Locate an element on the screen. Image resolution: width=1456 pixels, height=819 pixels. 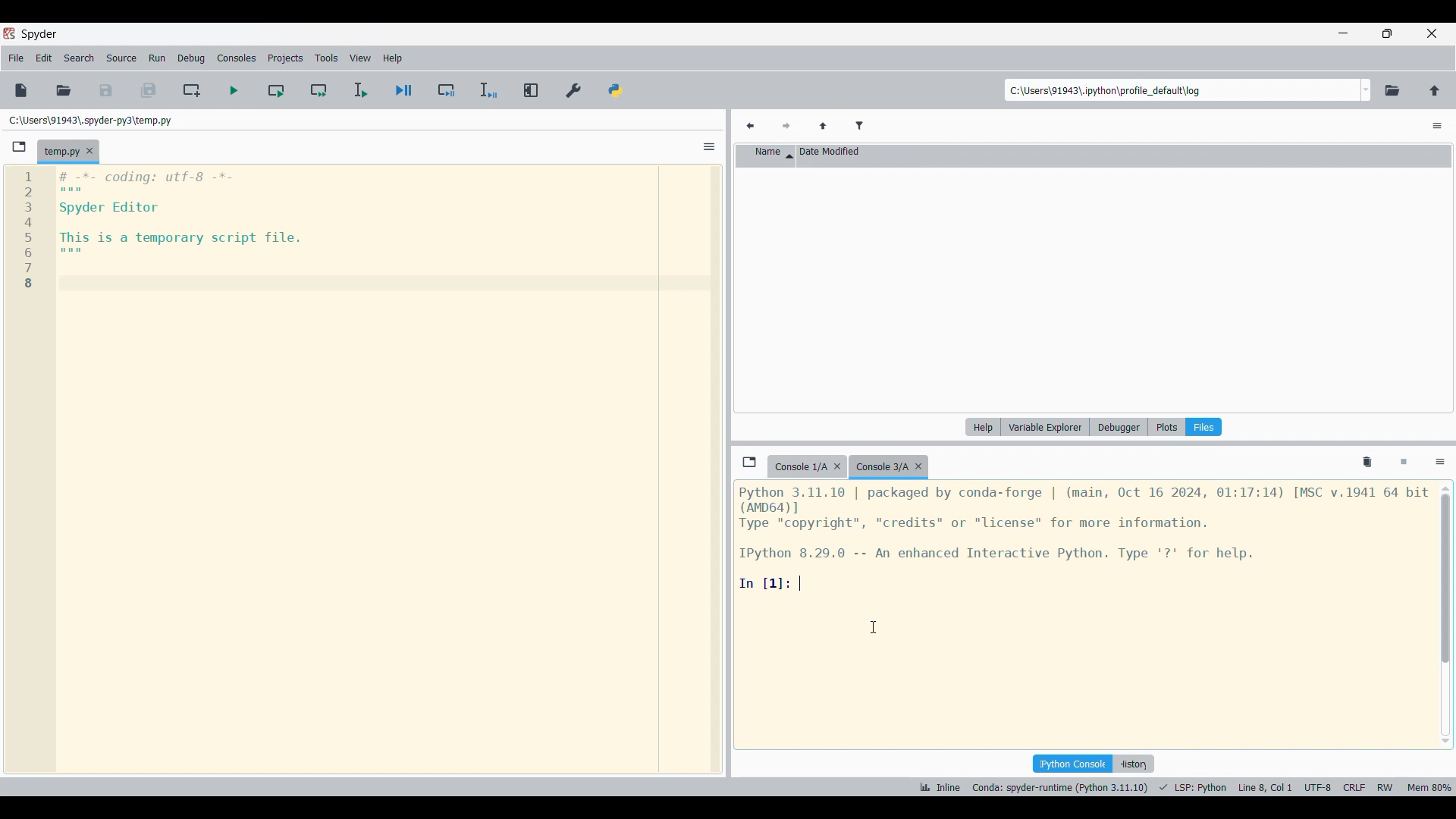
Maximize current pane is located at coordinates (532, 90).